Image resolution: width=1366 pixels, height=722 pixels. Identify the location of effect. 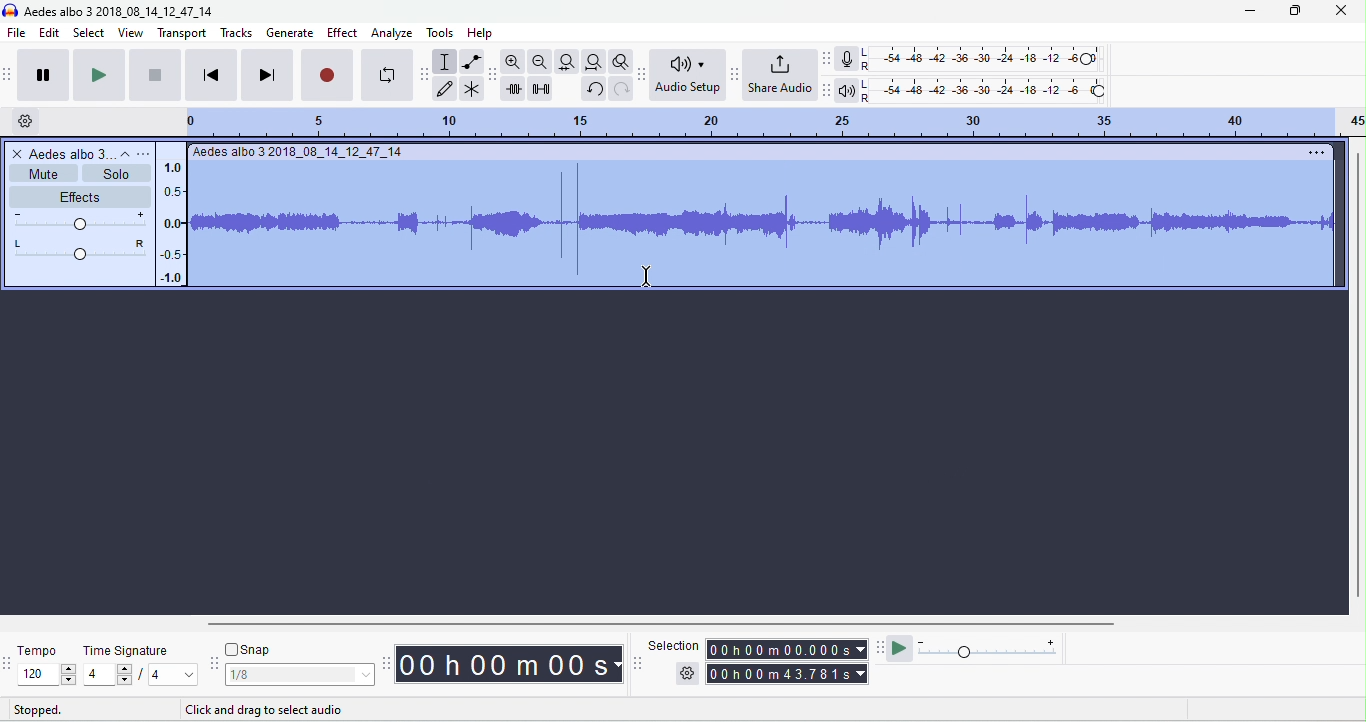
(342, 34).